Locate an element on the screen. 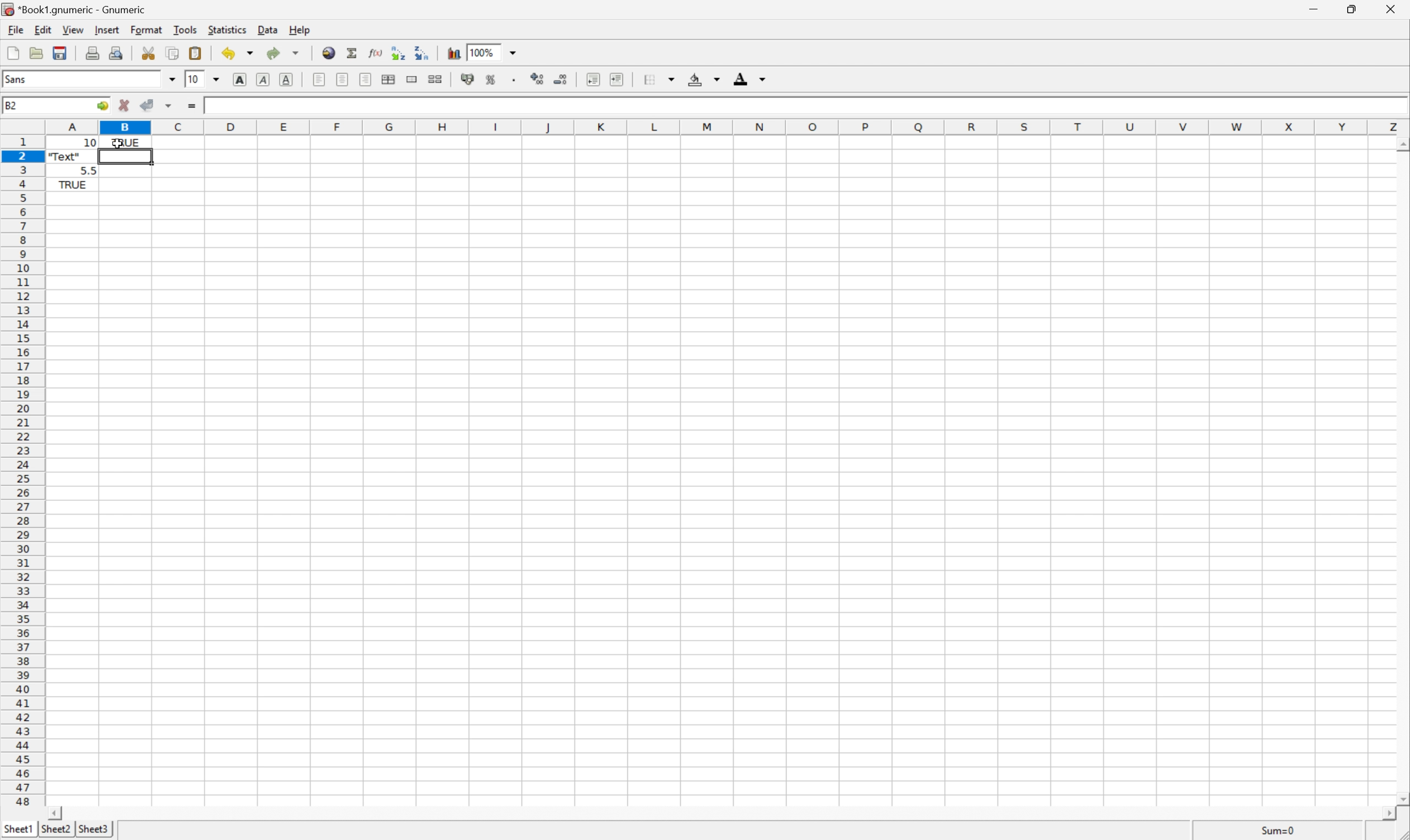 This screenshot has width=1410, height=840. Data is located at coordinates (266, 29).